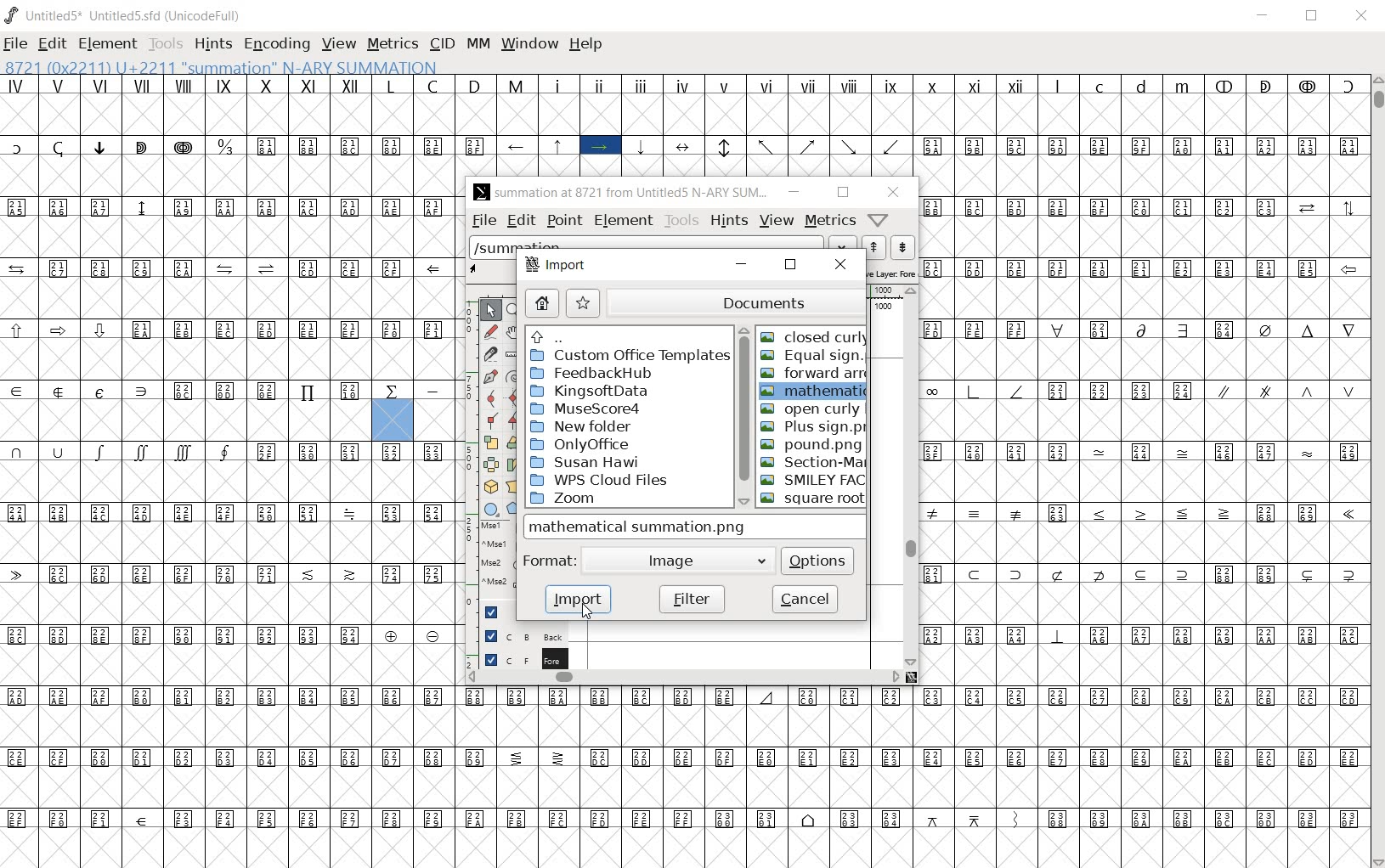 The image size is (1385, 868). Describe the element at coordinates (692, 600) in the screenshot. I see `filter` at that location.